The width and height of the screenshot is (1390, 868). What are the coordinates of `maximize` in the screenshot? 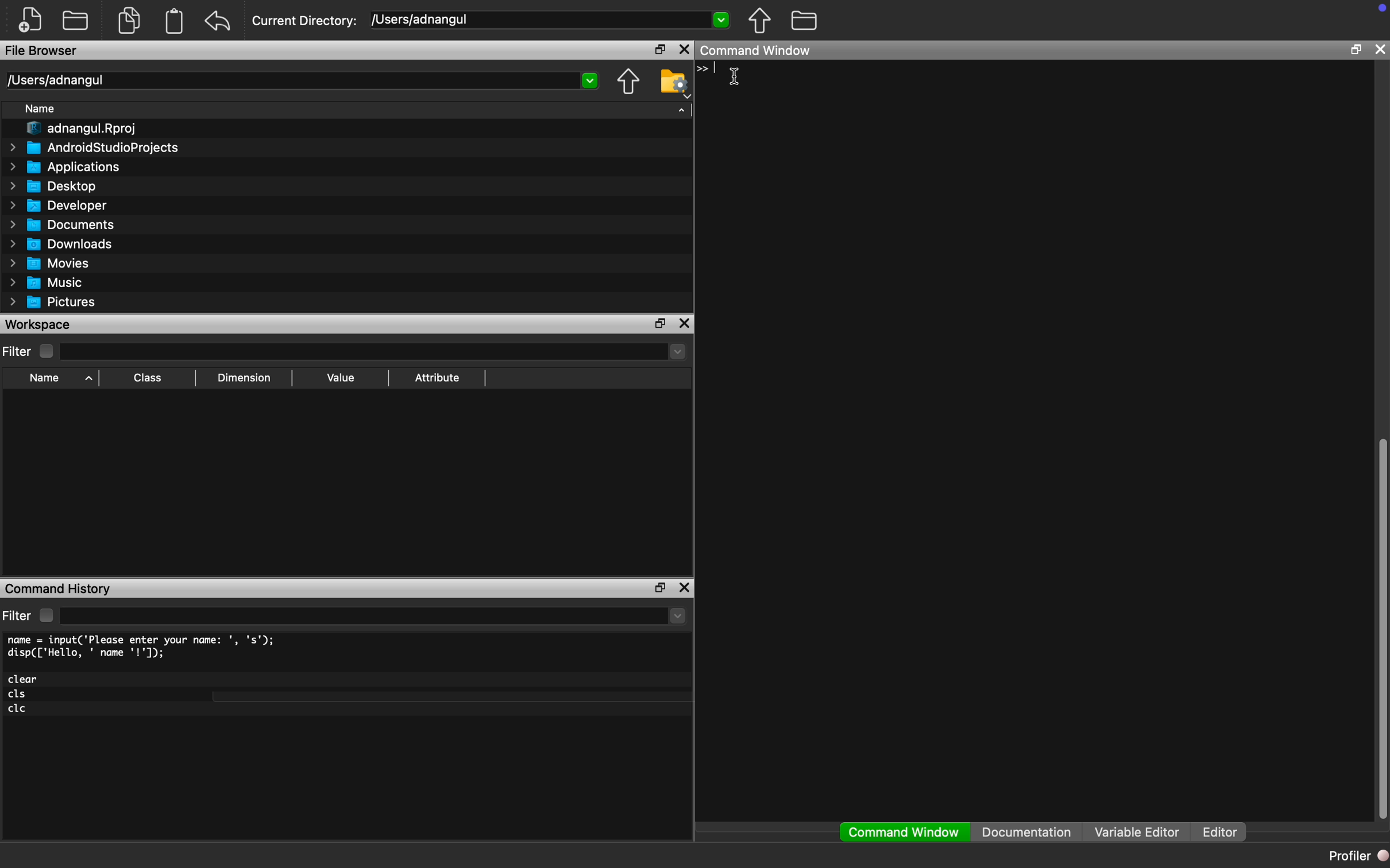 It's located at (1356, 49).